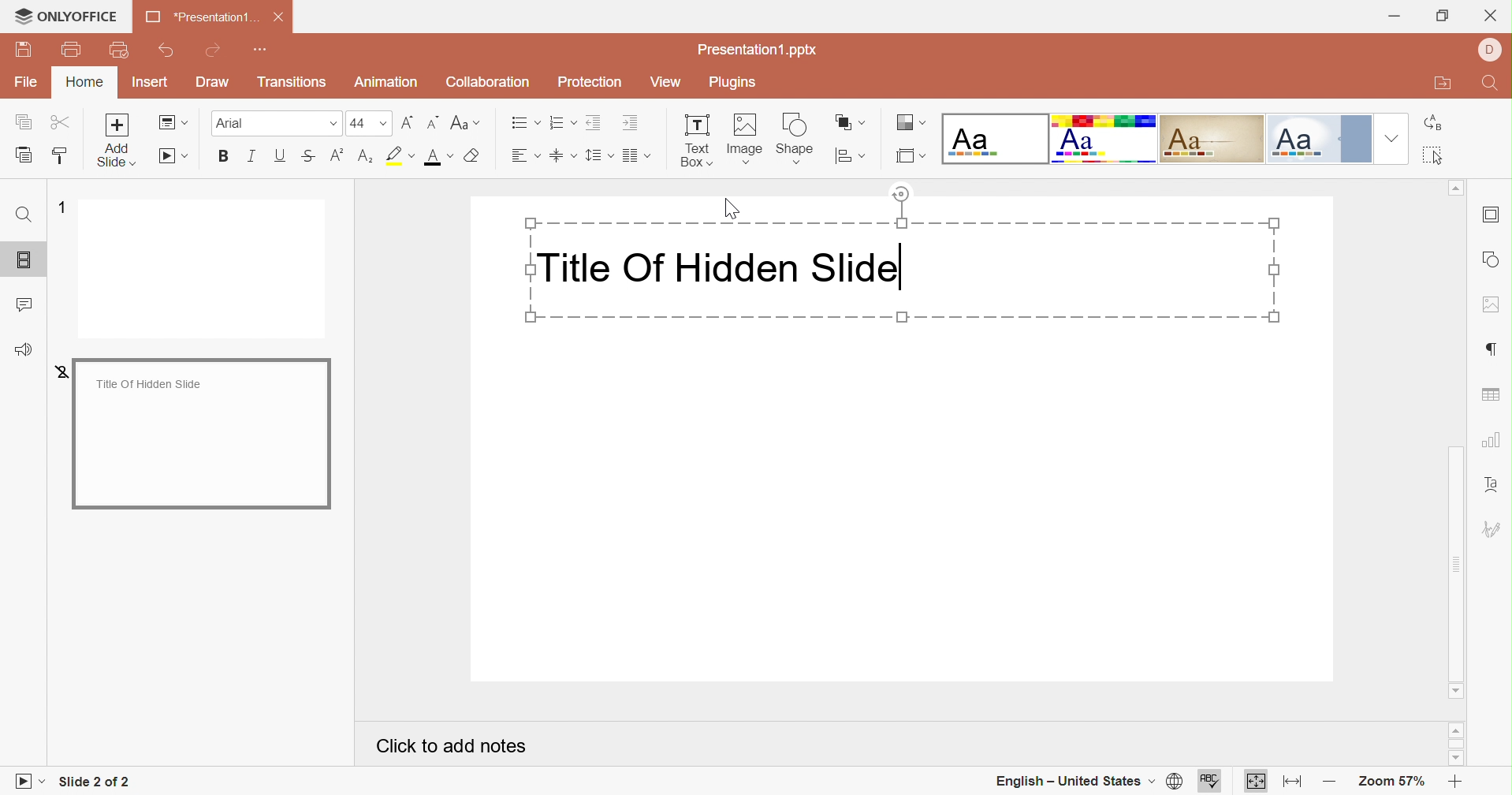 The image size is (1512, 795). What do you see at coordinates (336, 155) in the screenshot?
I see `Superscript` at bounding box center [336, 155].